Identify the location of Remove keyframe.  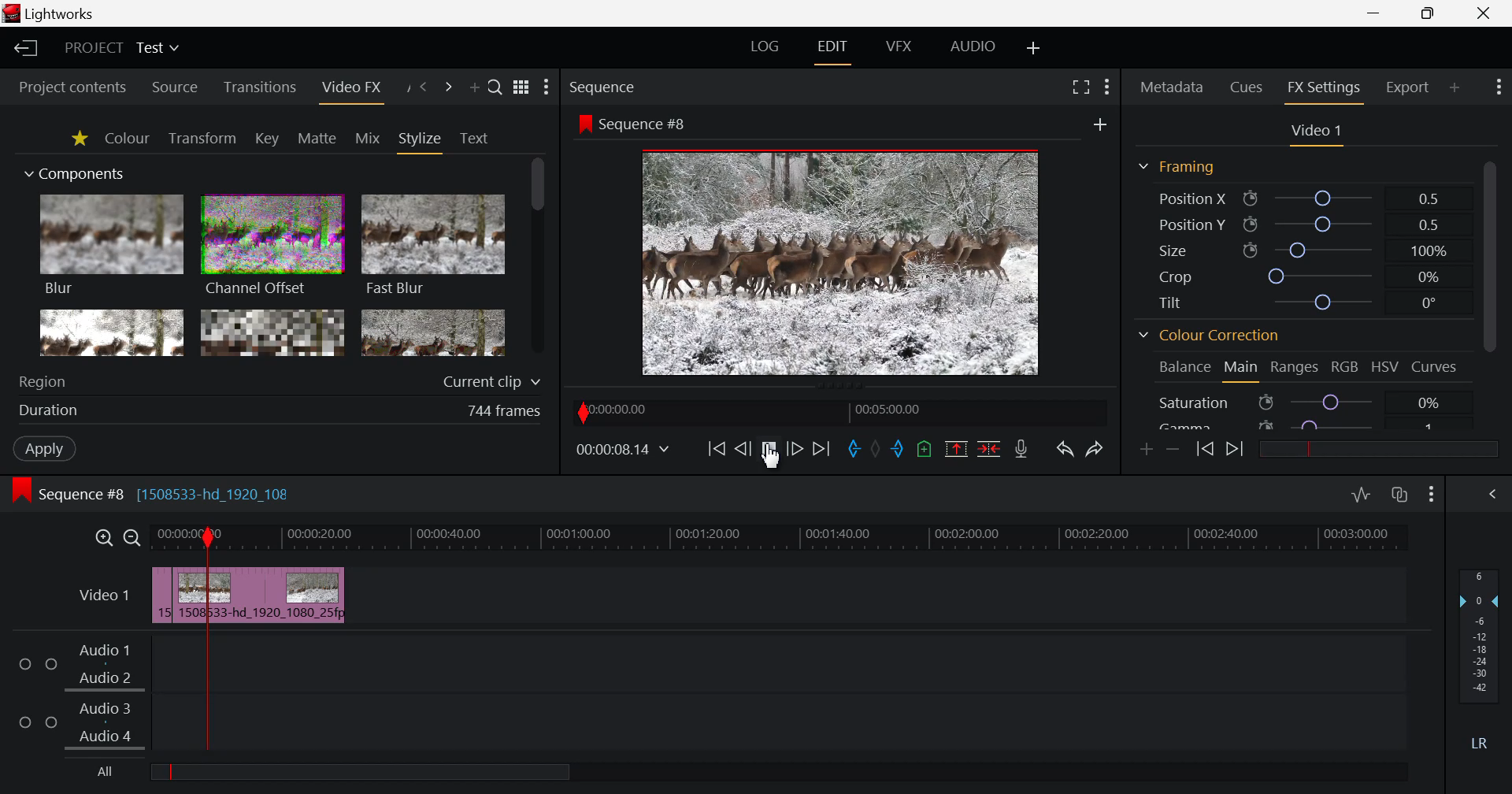
(1173, 449).